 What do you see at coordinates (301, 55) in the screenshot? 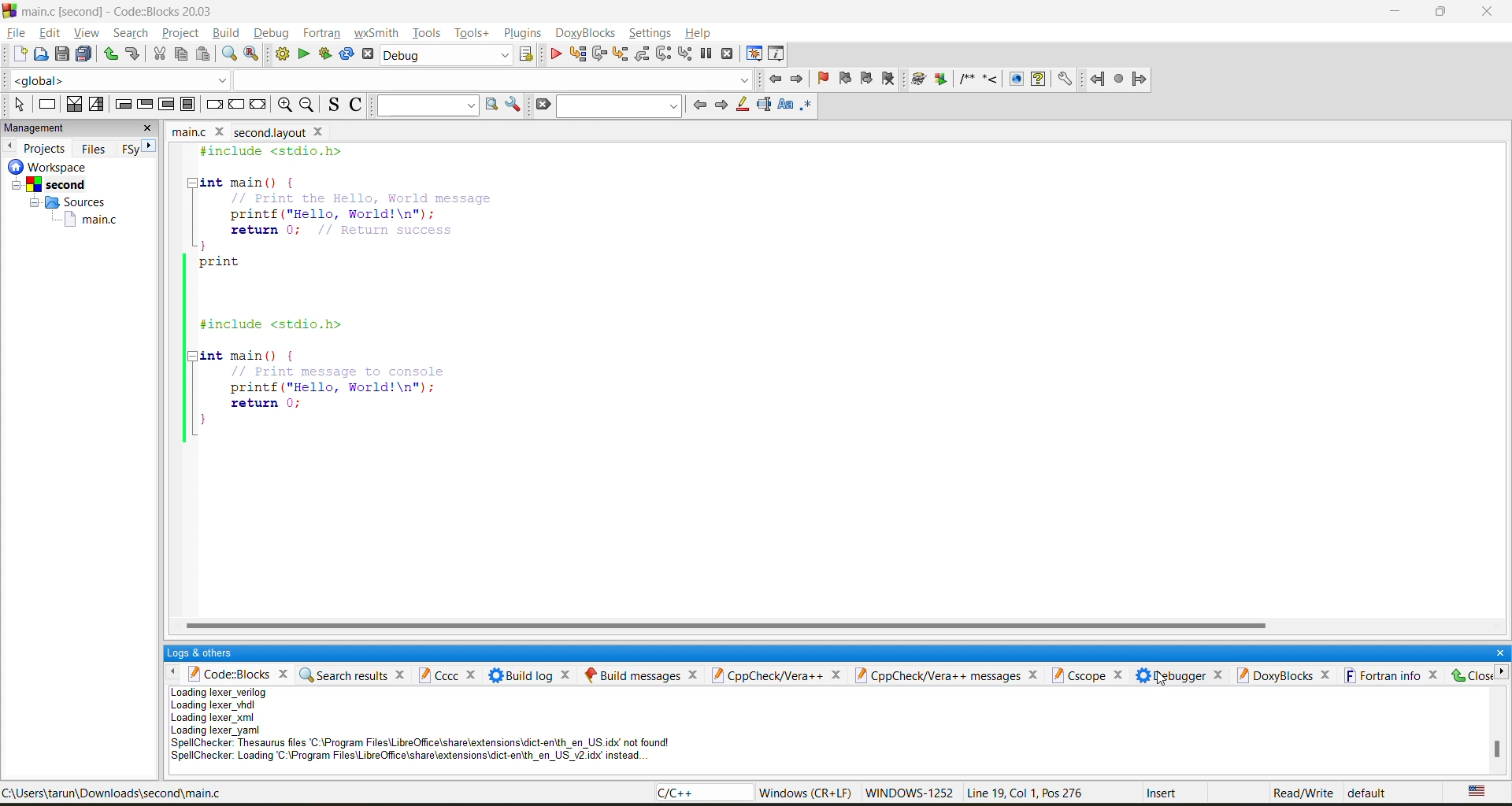
I see `replace` at bounding box center [301, 55].